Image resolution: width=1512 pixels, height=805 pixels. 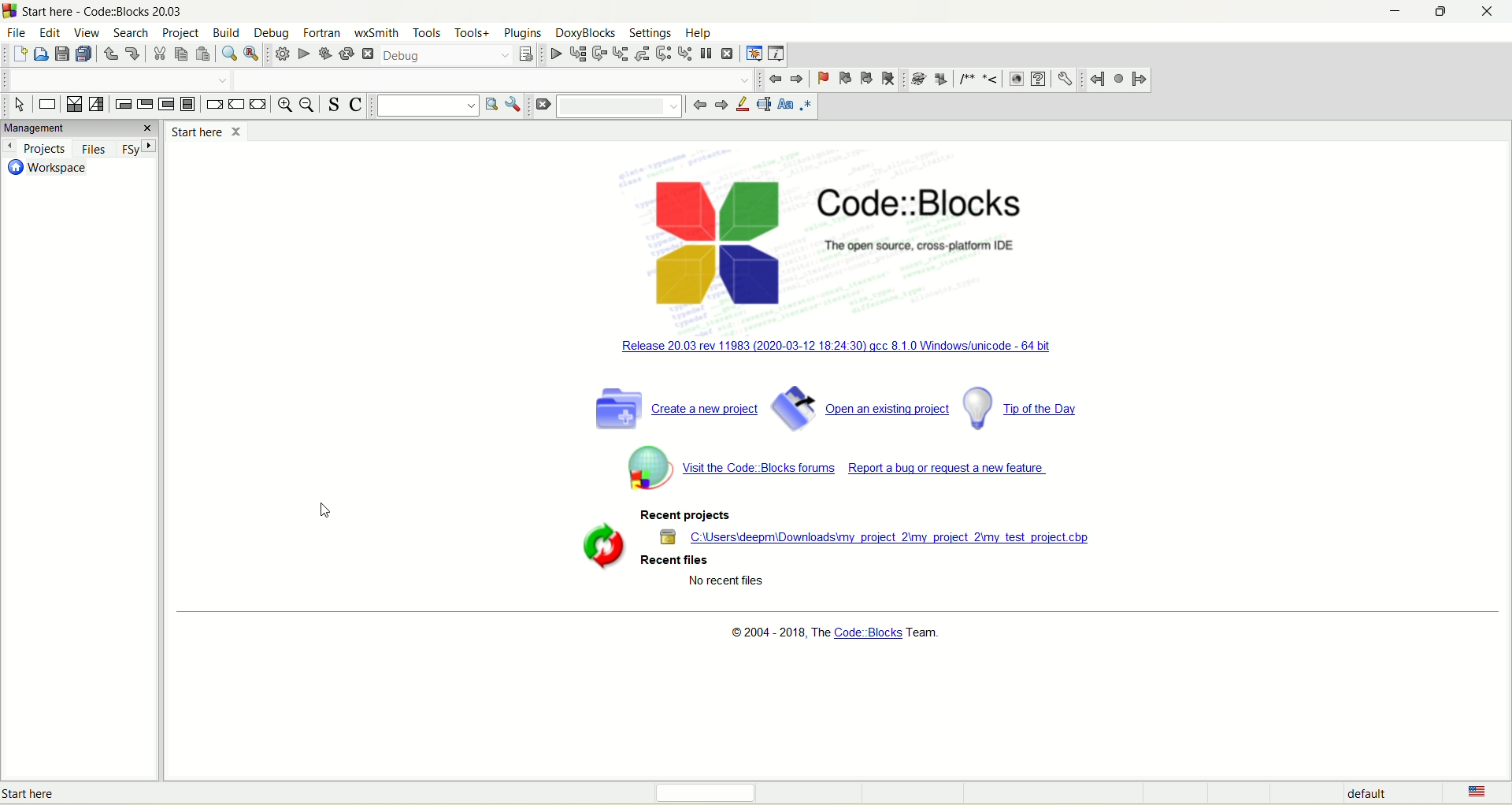 What do you see at coordinates (91, 35) in the screenshot?
I see `view` at bounding box center [91, 35].